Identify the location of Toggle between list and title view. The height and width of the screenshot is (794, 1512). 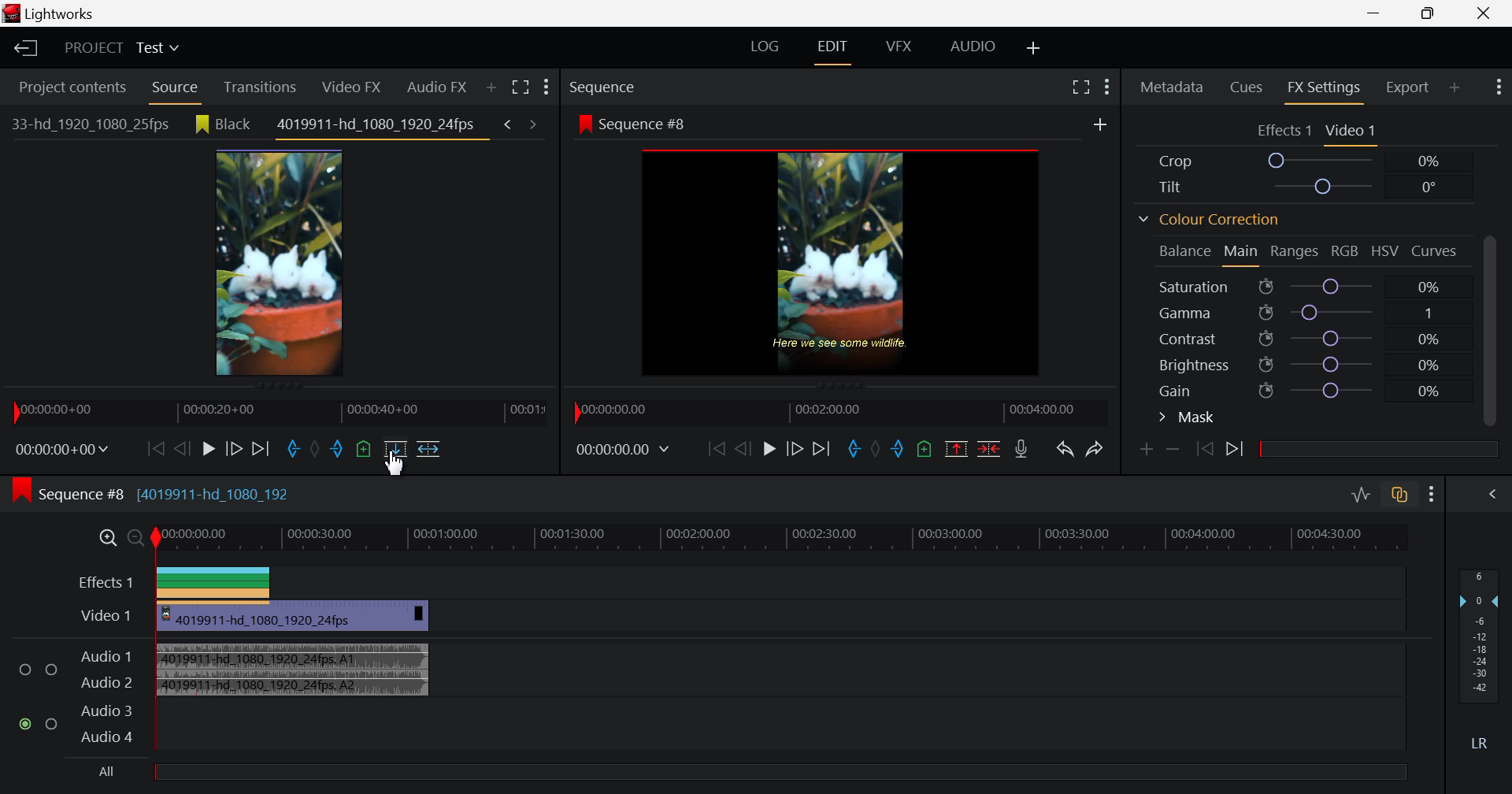
(521, 87).